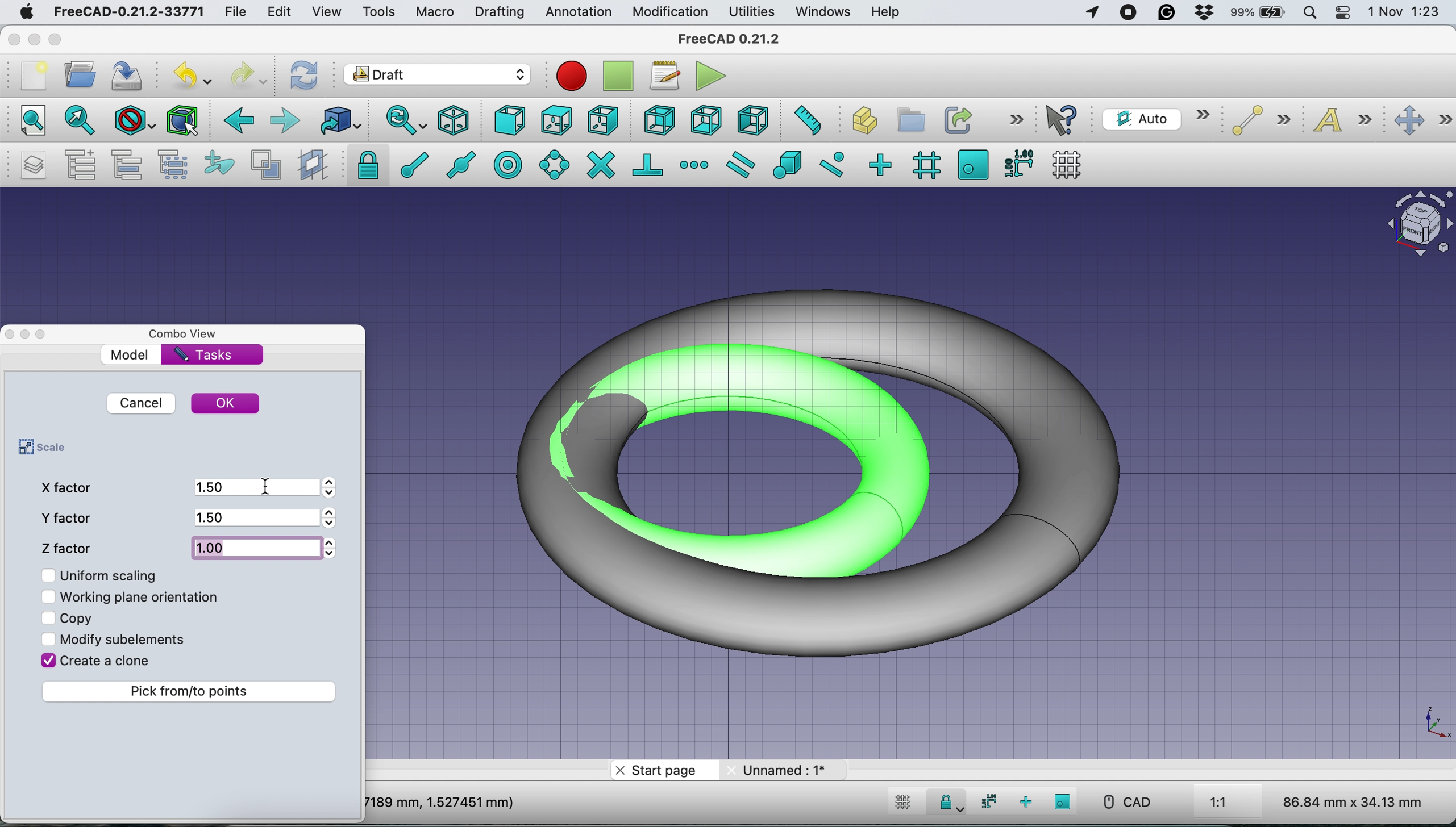 This screenshot has width=1456, height=827. What do you see at coordinates (363, 165) in the screenshot?
I see `snap lock` at bounding box center [363, 165].